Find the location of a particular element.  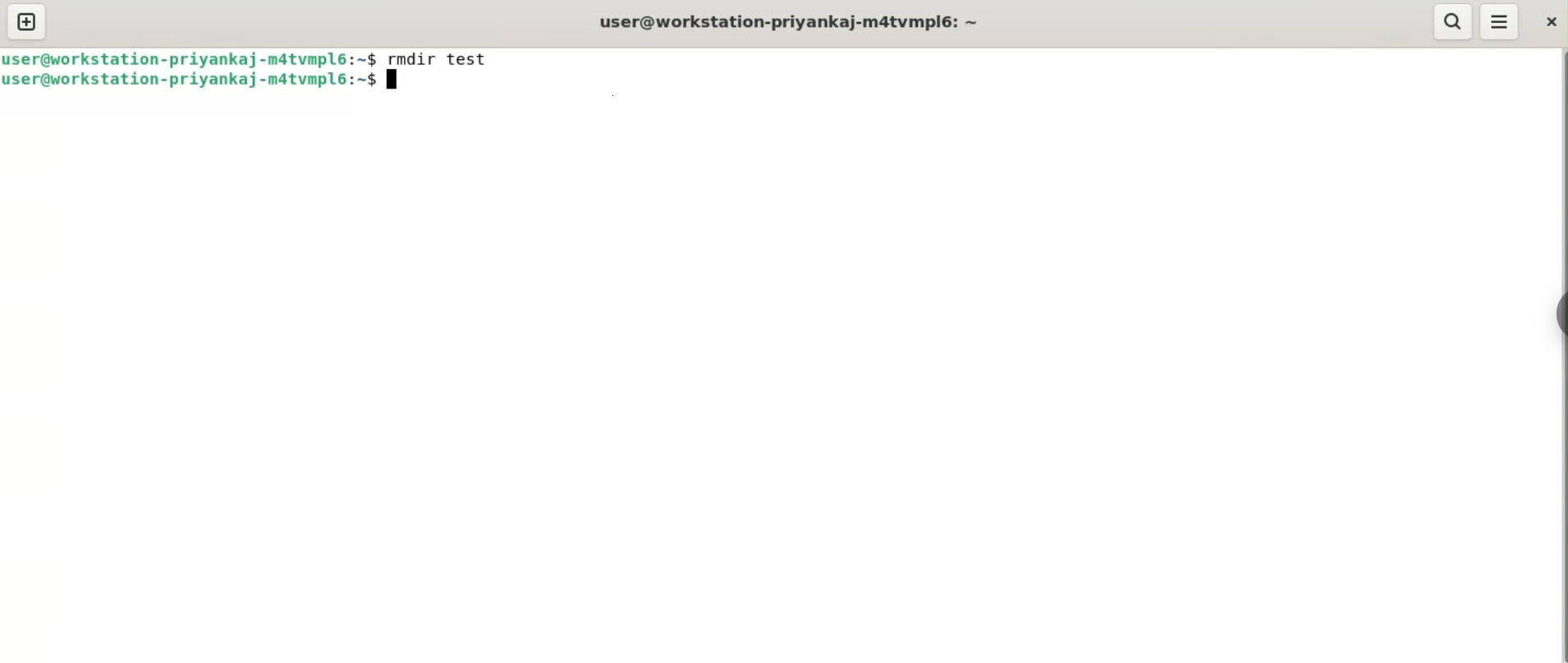

close is located at coordinates (1548, 21).